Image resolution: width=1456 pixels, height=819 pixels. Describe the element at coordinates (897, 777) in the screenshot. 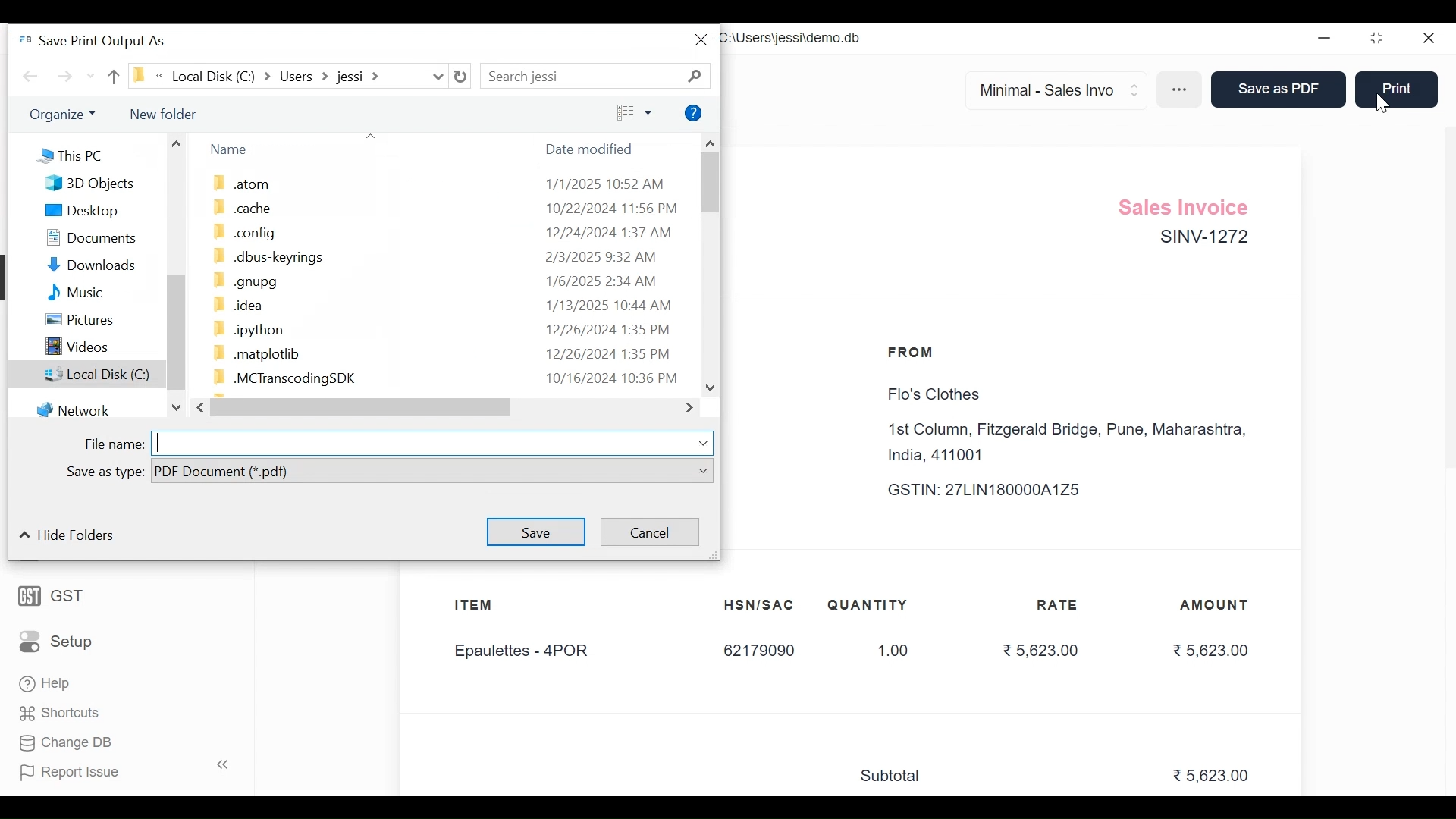

I see `Subtotal` at that location.